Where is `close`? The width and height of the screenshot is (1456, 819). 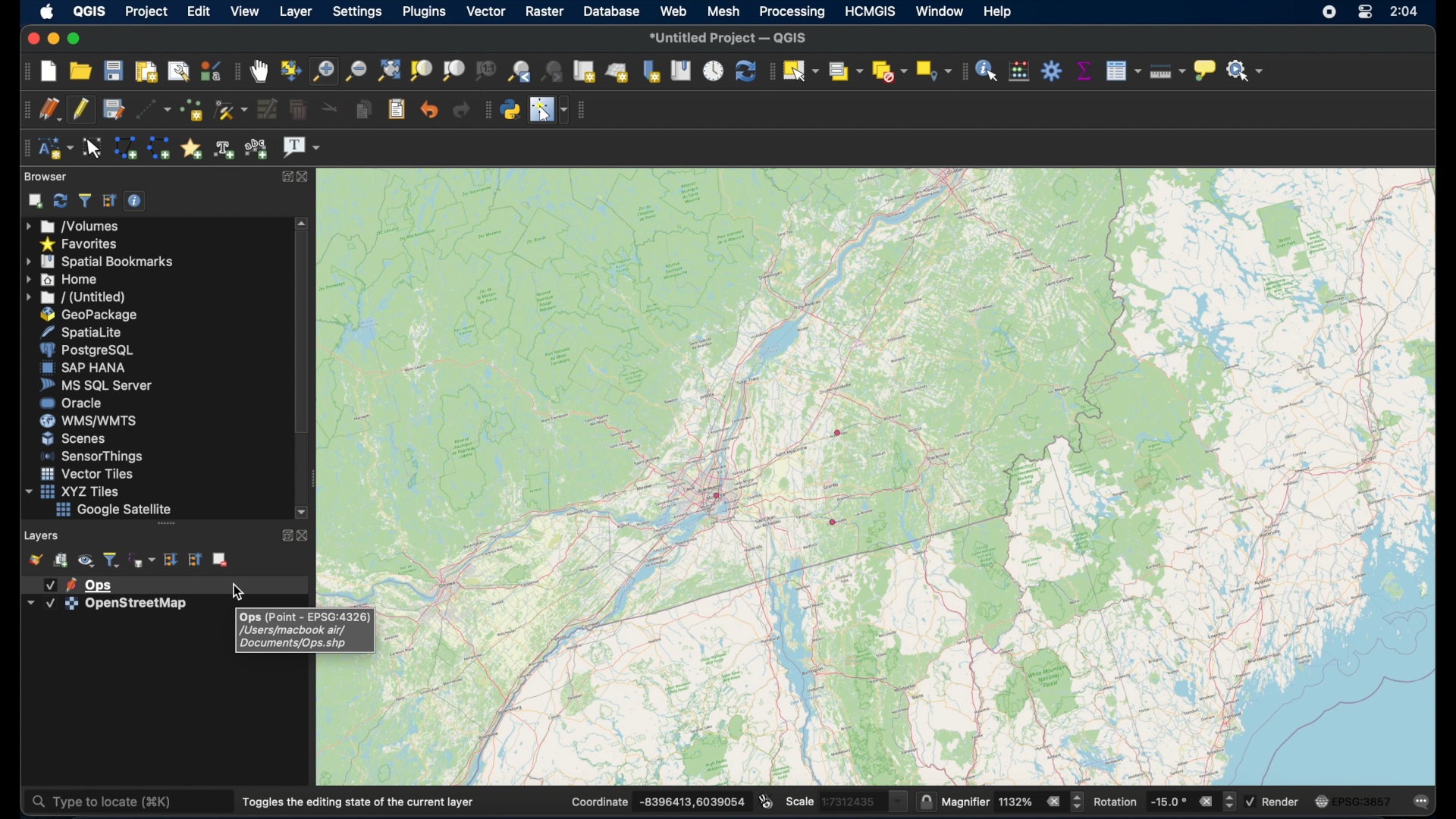 close is located at coordinates (307, 536).